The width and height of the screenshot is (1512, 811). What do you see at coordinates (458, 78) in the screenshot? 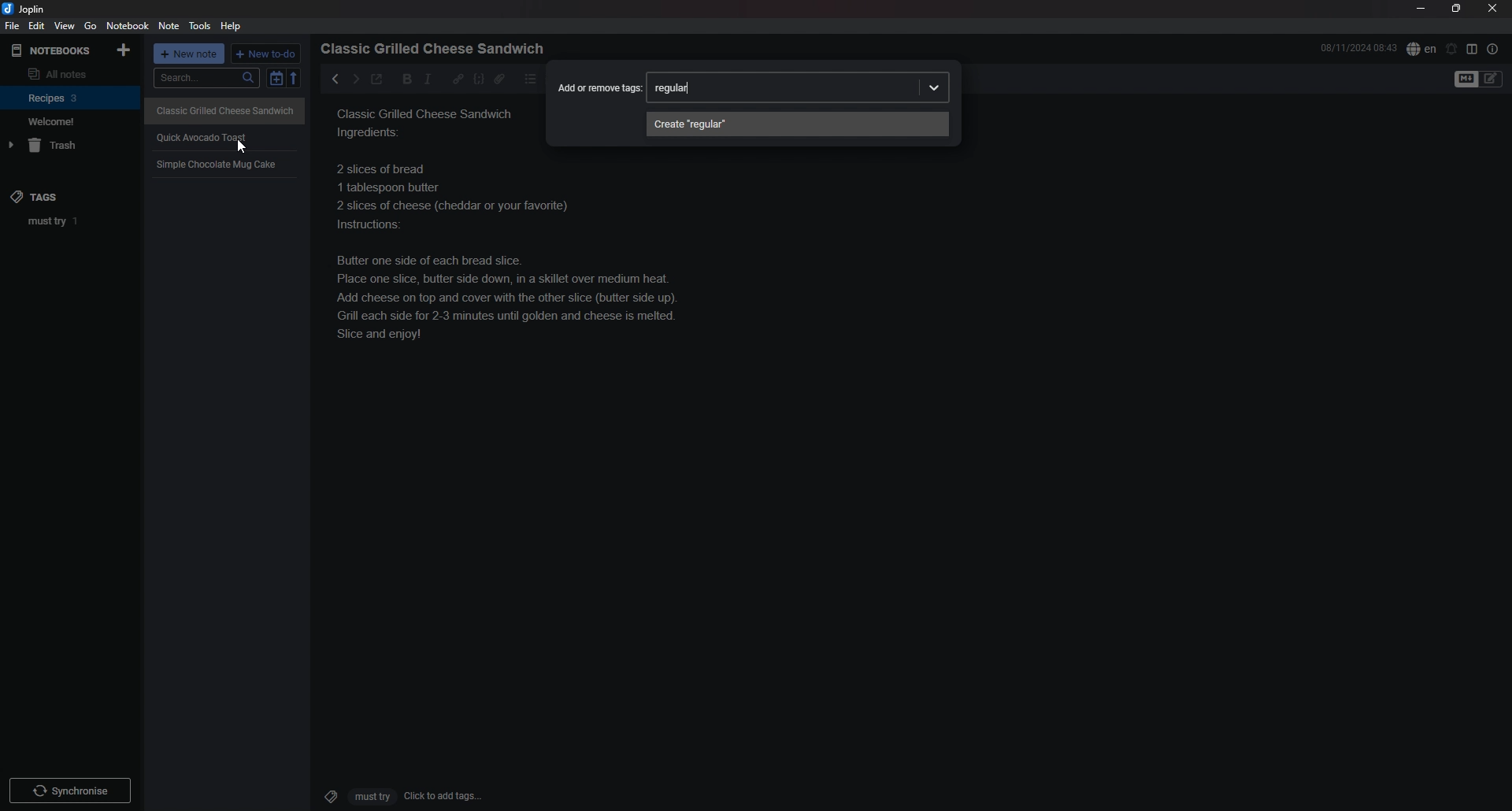
I see `hyperlink` at bounding box center [458, 78].